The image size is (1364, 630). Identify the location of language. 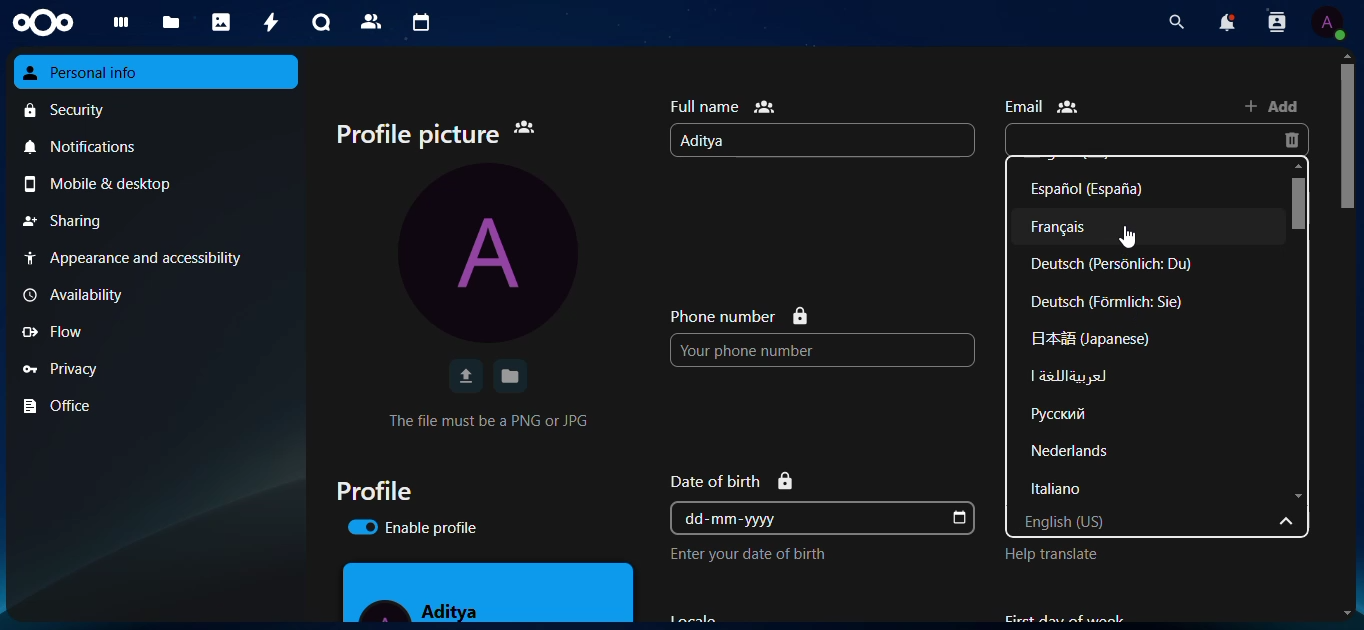
(1074, 414).